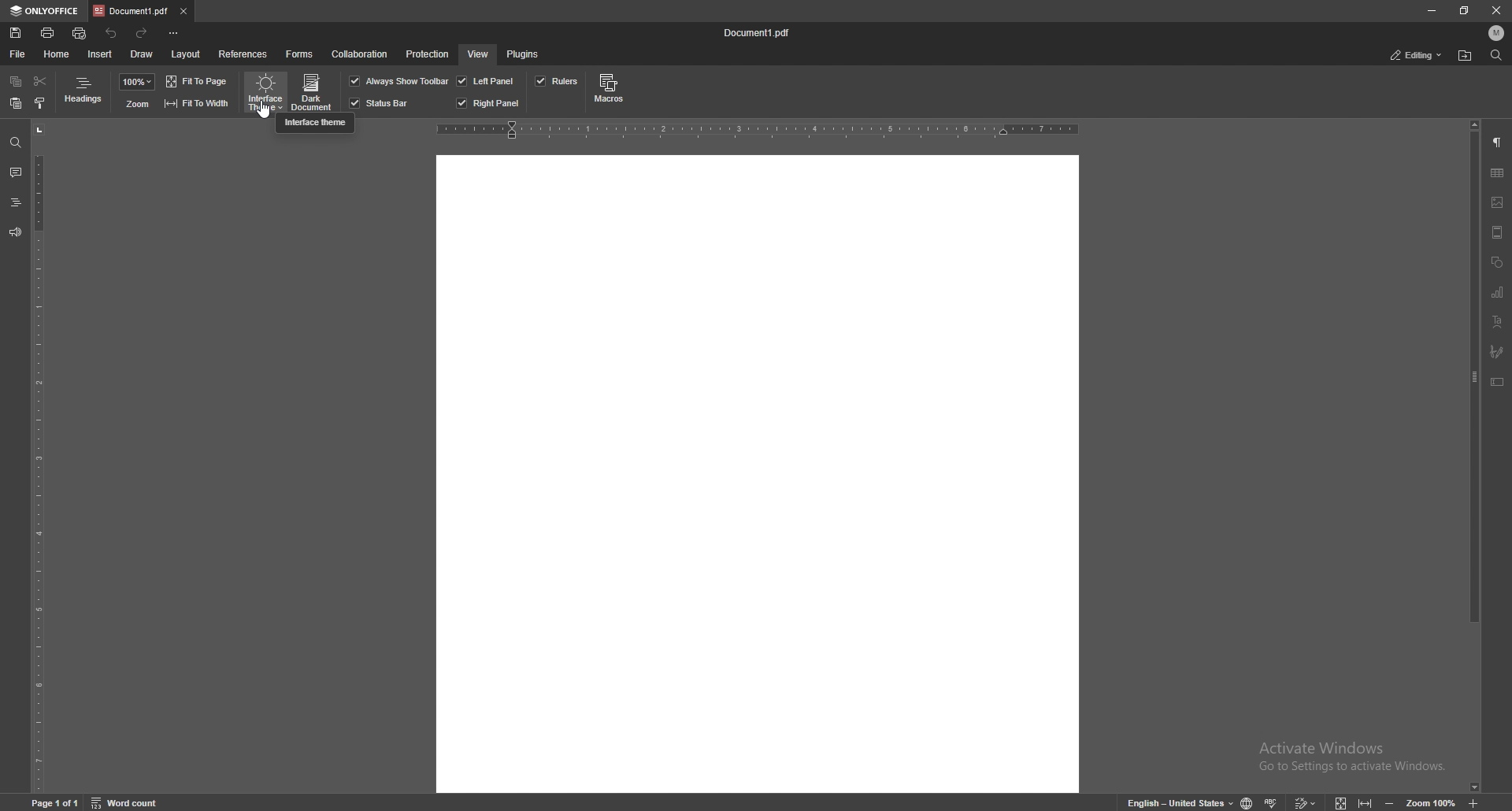 Image resolution: width=1512 pixels, height=811 pixels. I want to click on tab, so click(130, 11).